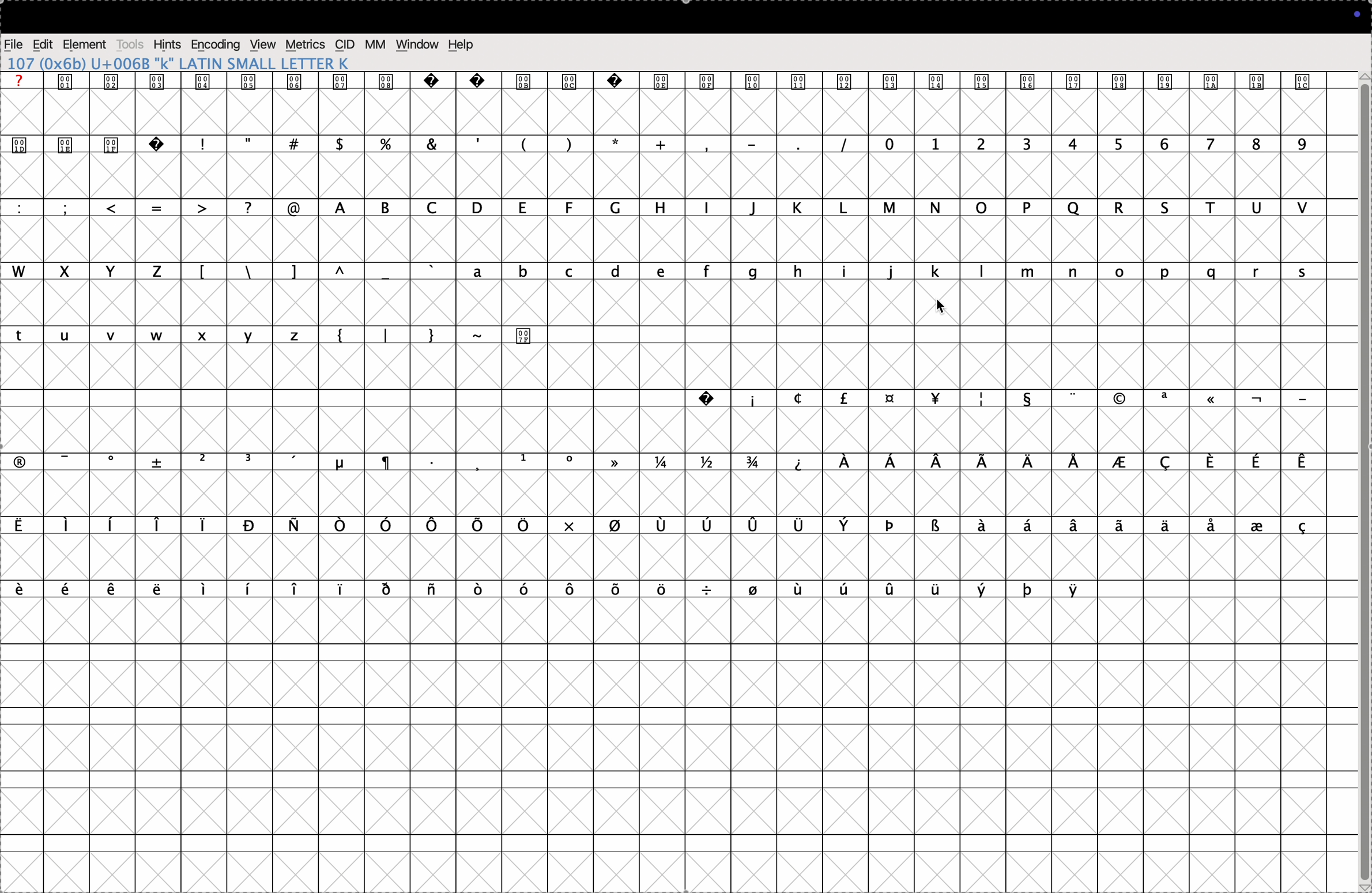  I want to click on u, so click(1252, 208).